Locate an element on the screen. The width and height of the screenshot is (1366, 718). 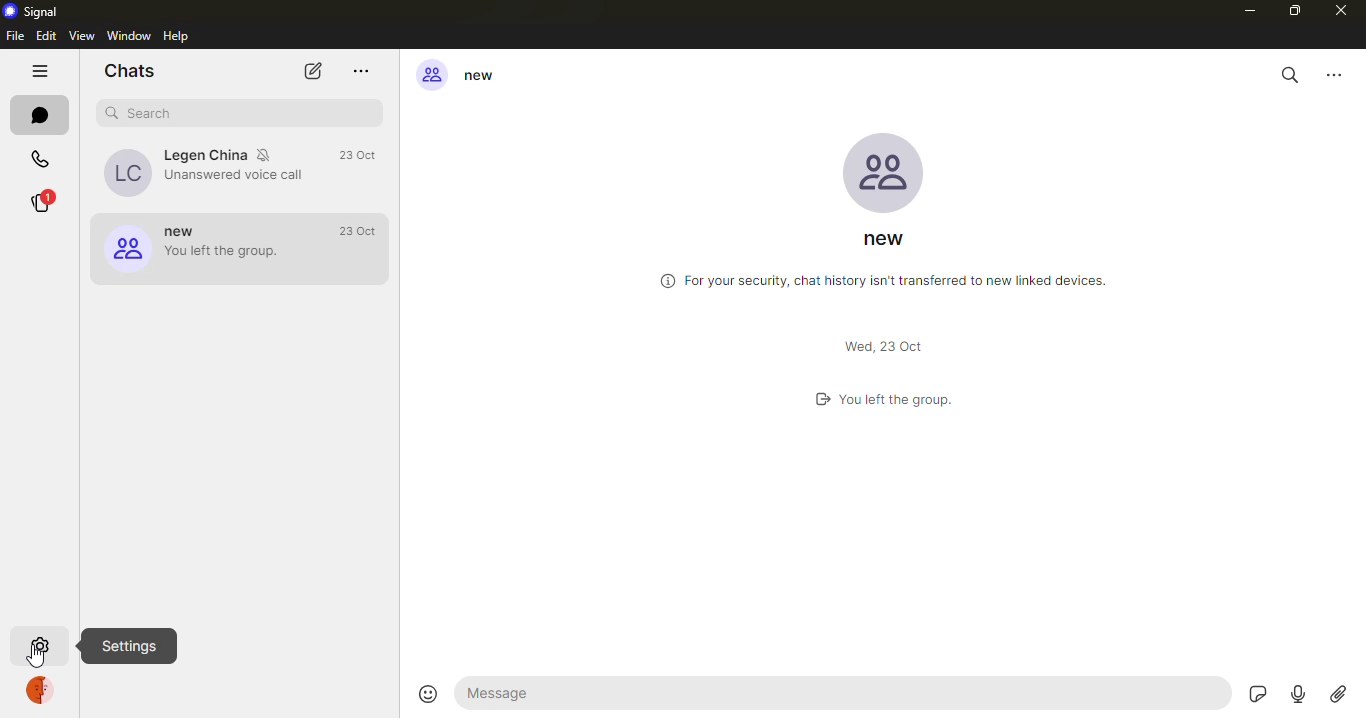
view is located at coordinates (84, 35).